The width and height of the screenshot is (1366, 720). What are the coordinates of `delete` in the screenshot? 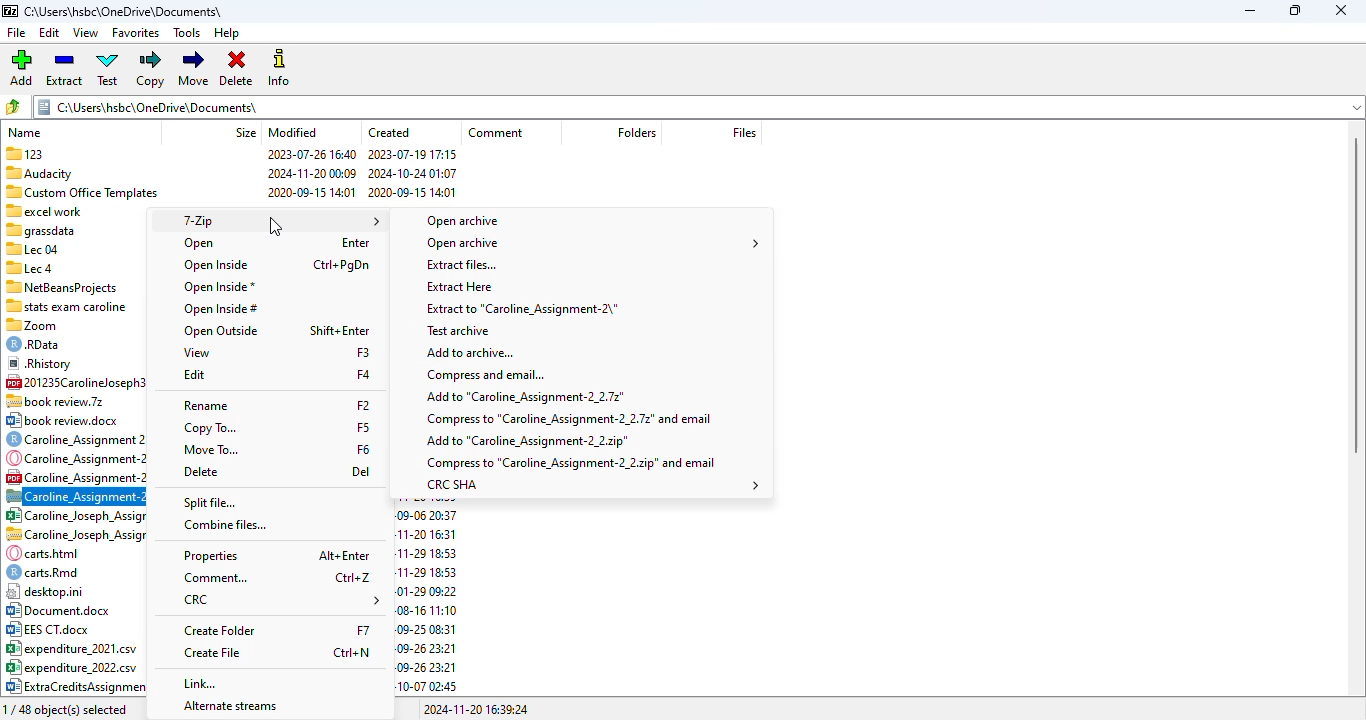 It's located at (201, 472).